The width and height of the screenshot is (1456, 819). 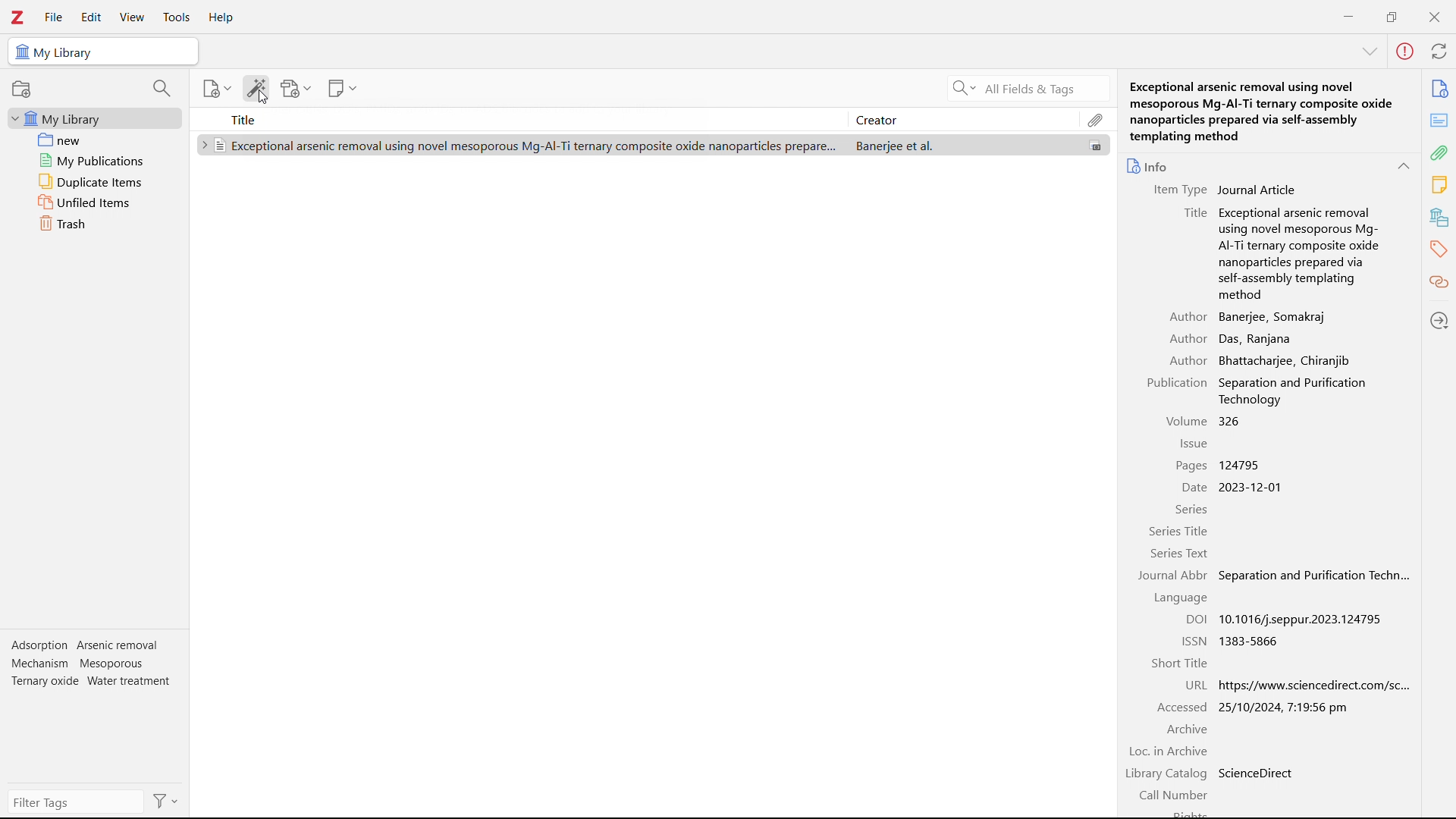 What do you see at coordinates (1187, 360) in the screenshot?
I see `Author` at bounding box center [1187, 360].